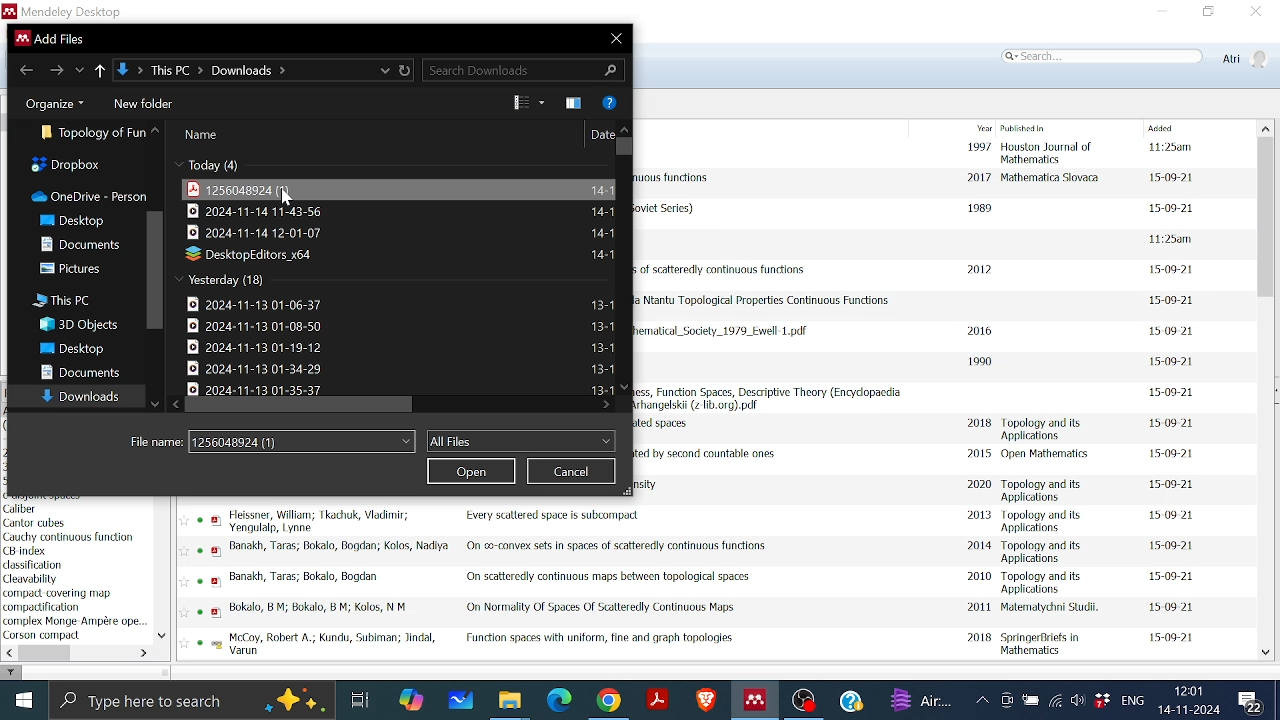 This screenshot has height=720, width=1280. I want to click on 2017, so click(976, 178).